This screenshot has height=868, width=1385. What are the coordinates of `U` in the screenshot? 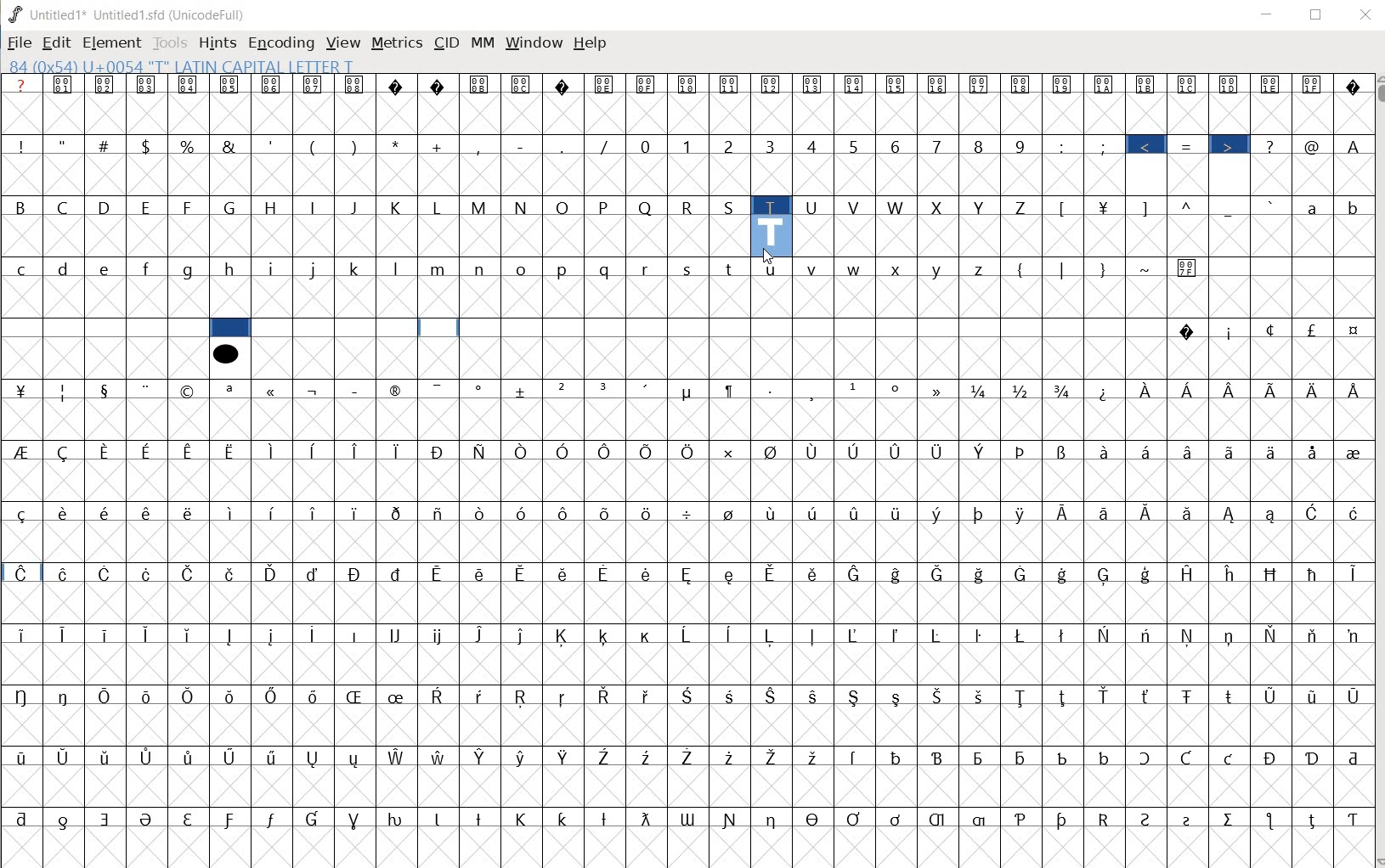 It's located at (813, 206).